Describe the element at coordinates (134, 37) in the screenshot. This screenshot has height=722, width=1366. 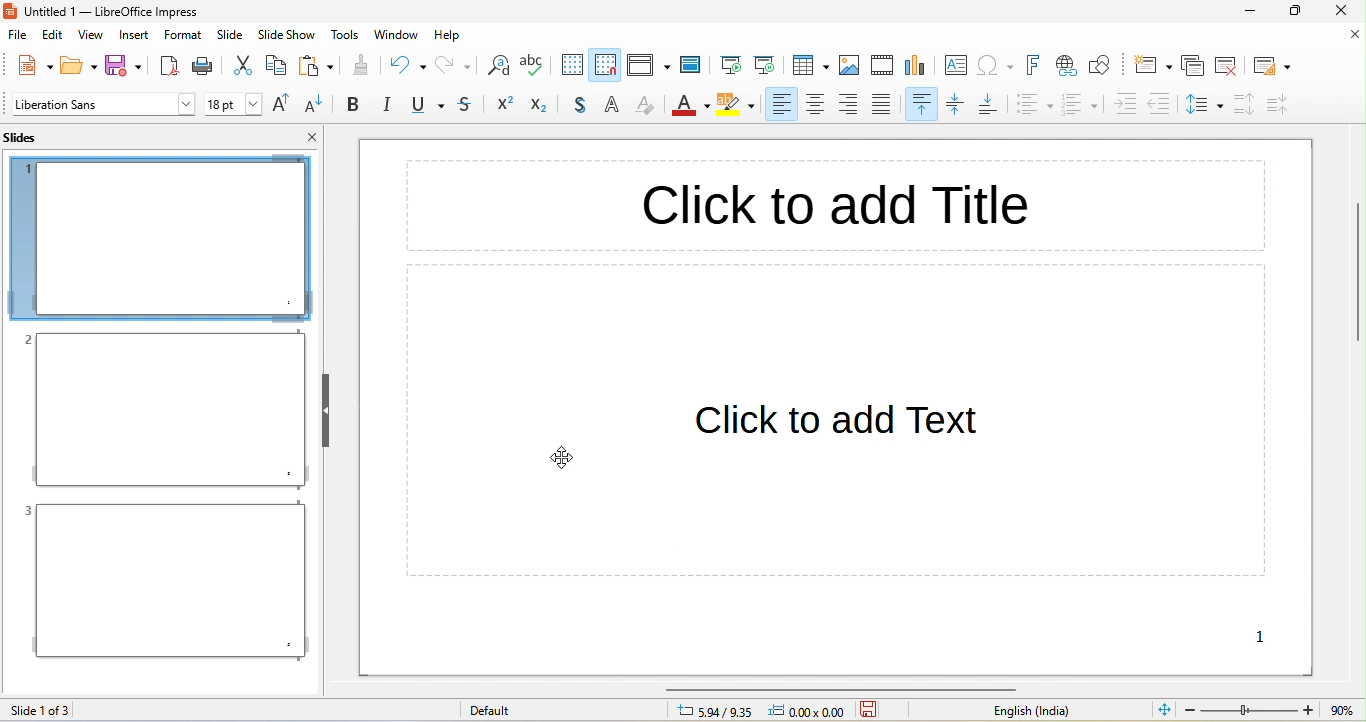
I see `insert` at that location.